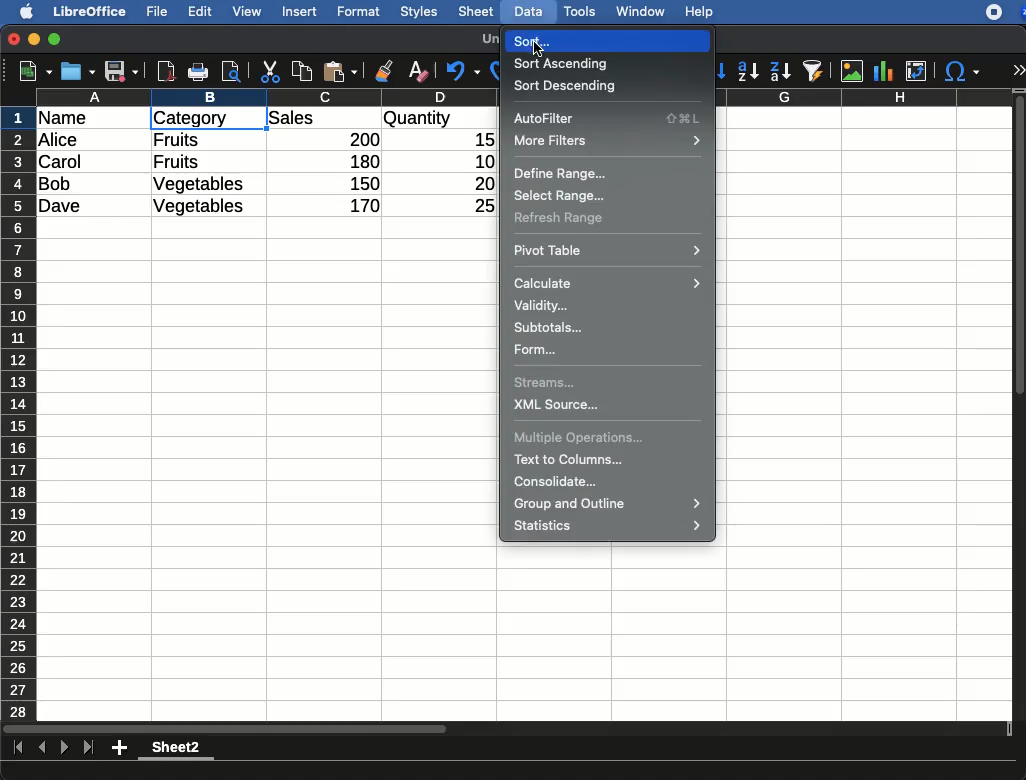 The width and height of the screenshot is (1026, 780). I want to click on cursor, so click(538, 44).